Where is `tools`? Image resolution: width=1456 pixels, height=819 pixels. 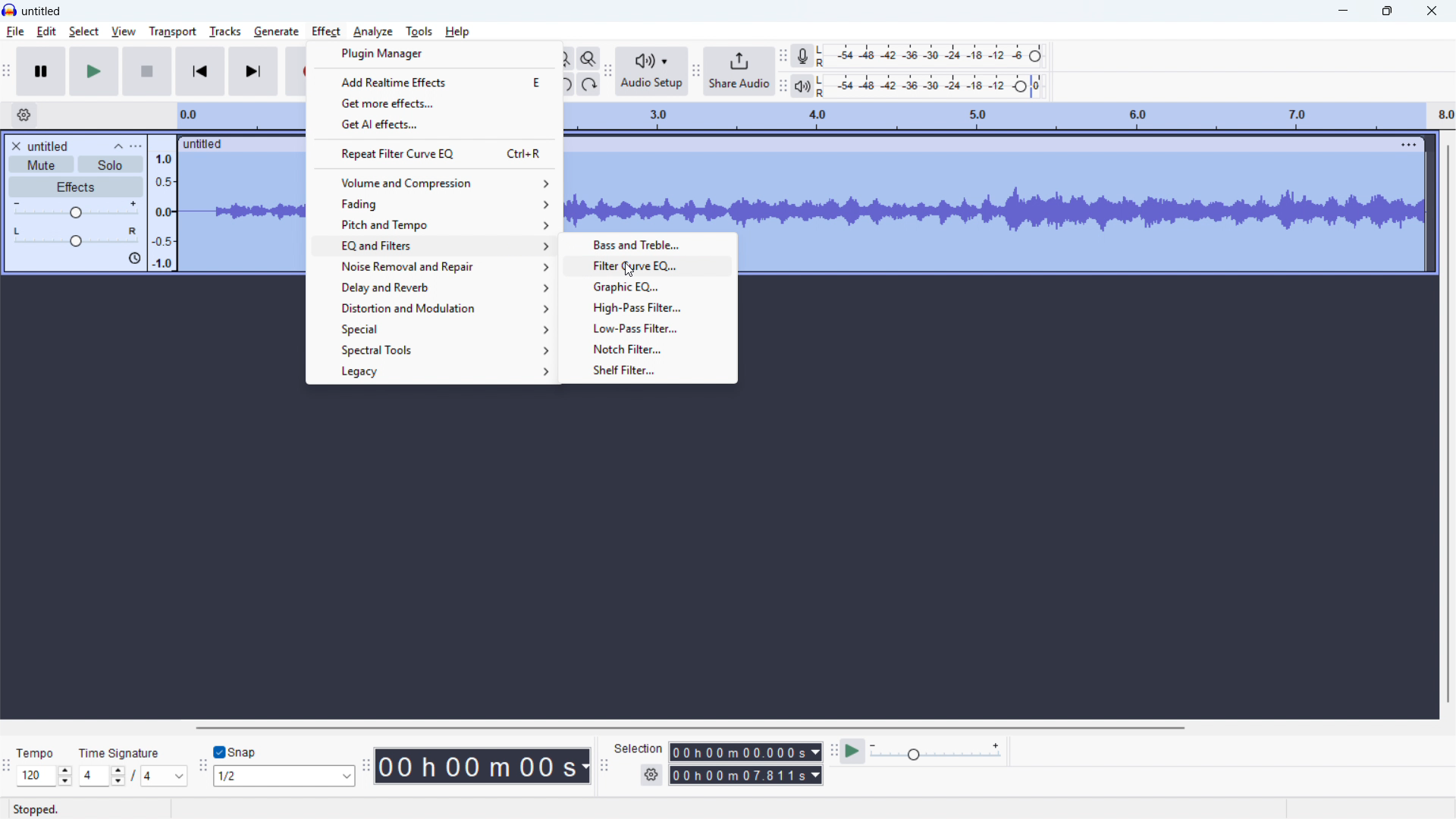
tools is located at coordinates (419, 30).